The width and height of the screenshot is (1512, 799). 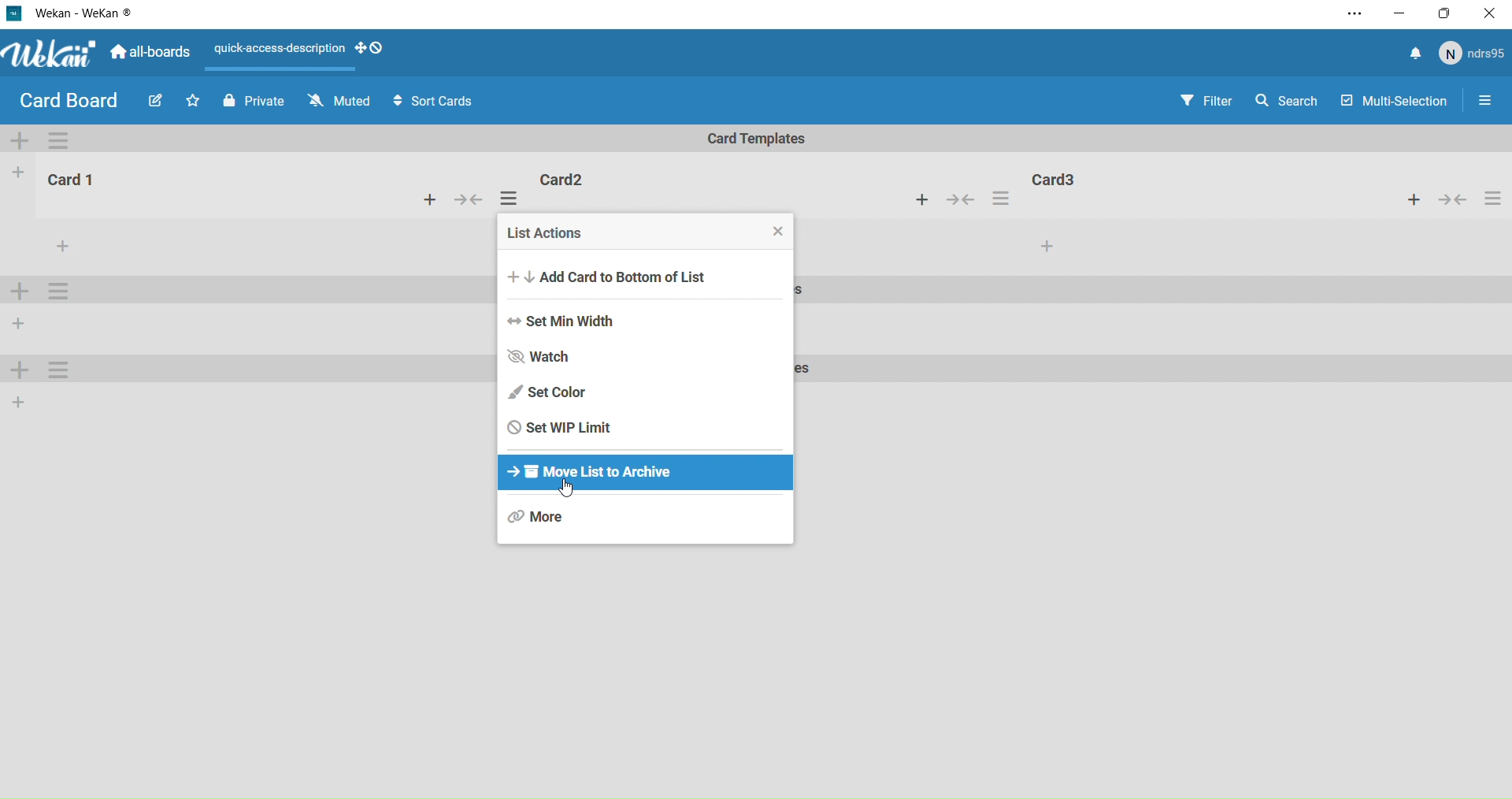 I want to click on List Actions, so click(x=647, y=233).